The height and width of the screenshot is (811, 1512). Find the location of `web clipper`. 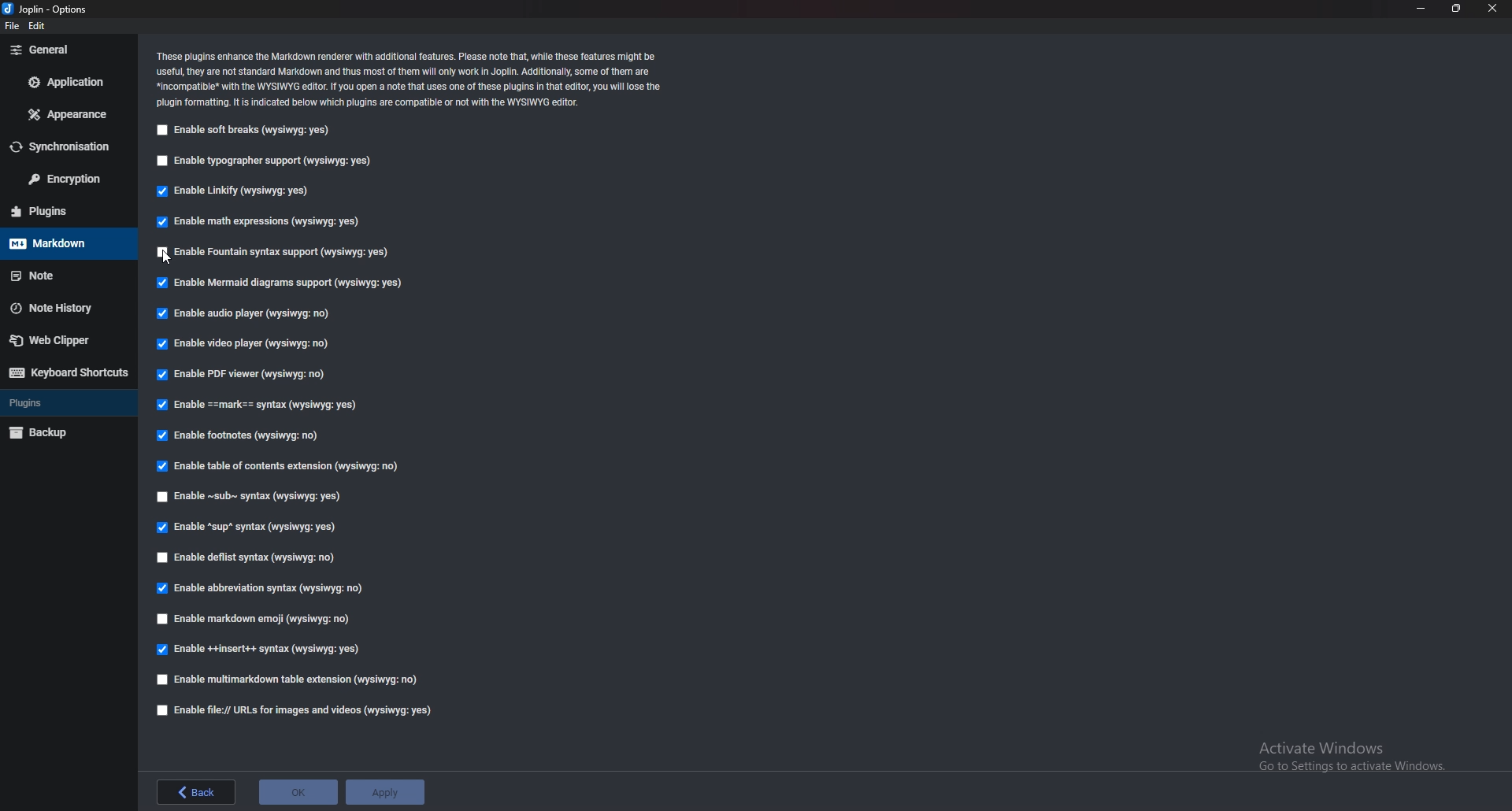

web clipper is located at coordinates (69, 340).